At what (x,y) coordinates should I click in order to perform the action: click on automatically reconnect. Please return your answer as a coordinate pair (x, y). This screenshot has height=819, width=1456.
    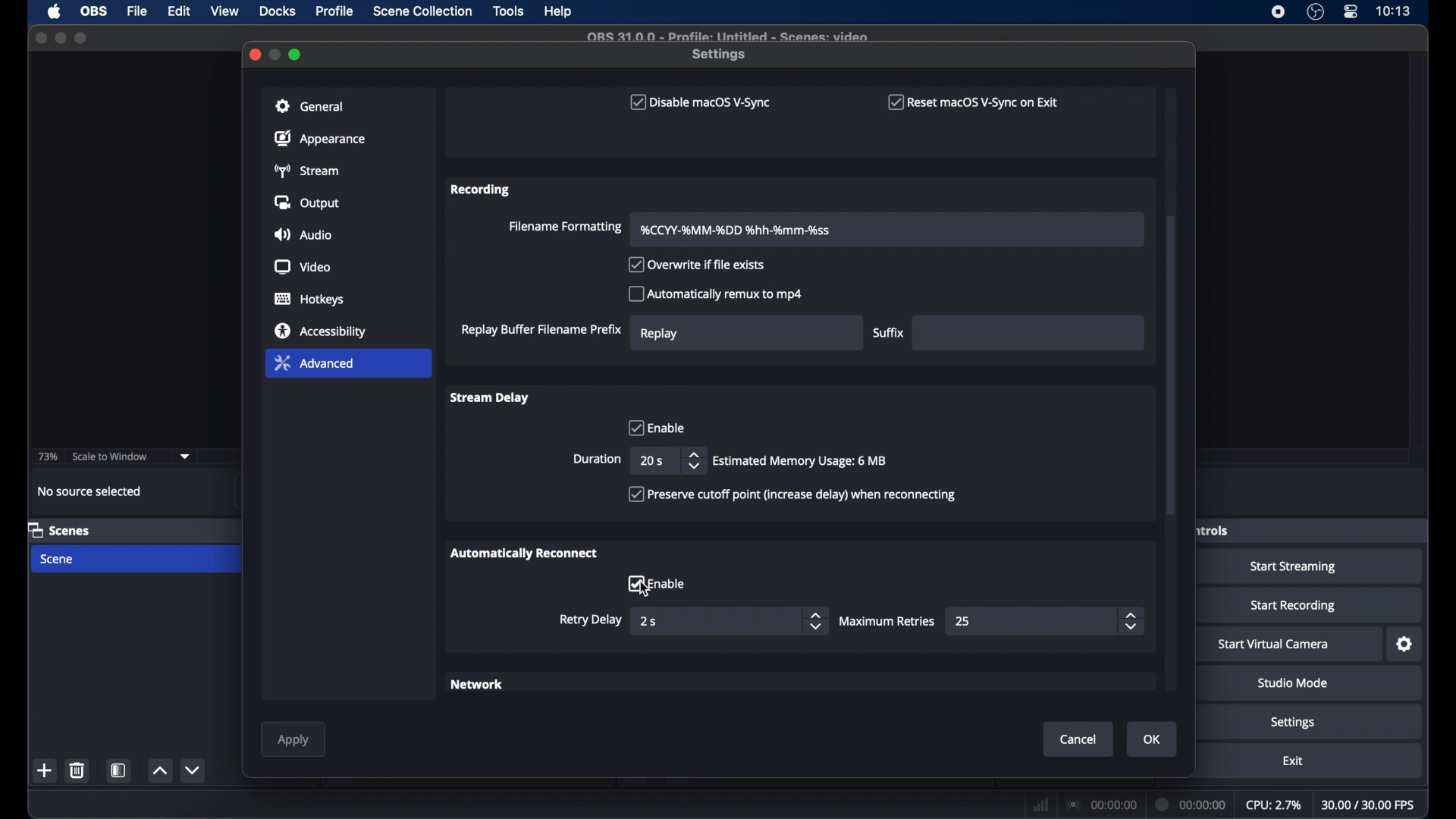
    Looking at the image, I should click on (524, 553).